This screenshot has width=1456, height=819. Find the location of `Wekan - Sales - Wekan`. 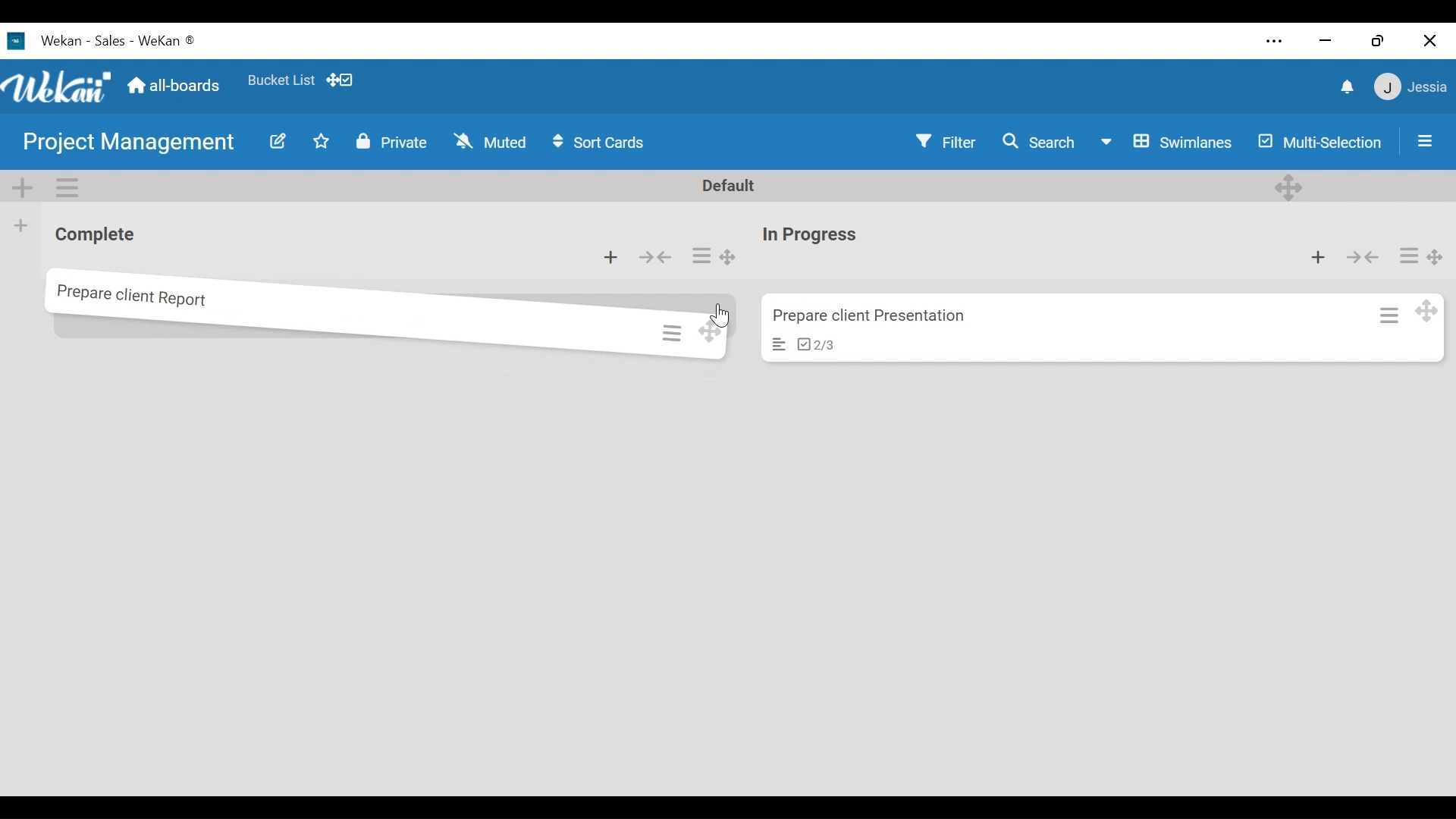

Wekan - Sales - Wekan is located at coordinates (121, 40).